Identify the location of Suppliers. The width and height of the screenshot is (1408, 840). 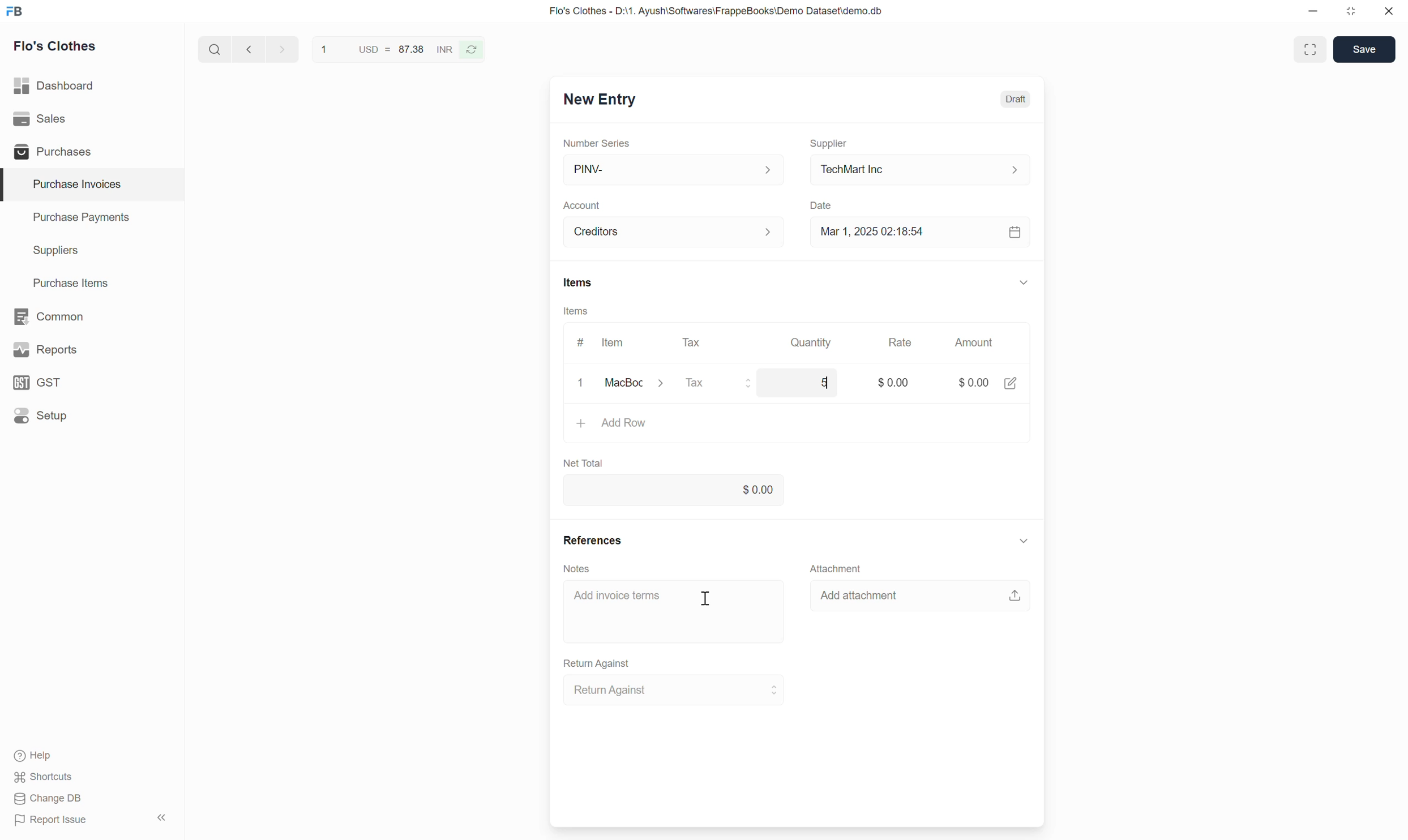
(92, 251).